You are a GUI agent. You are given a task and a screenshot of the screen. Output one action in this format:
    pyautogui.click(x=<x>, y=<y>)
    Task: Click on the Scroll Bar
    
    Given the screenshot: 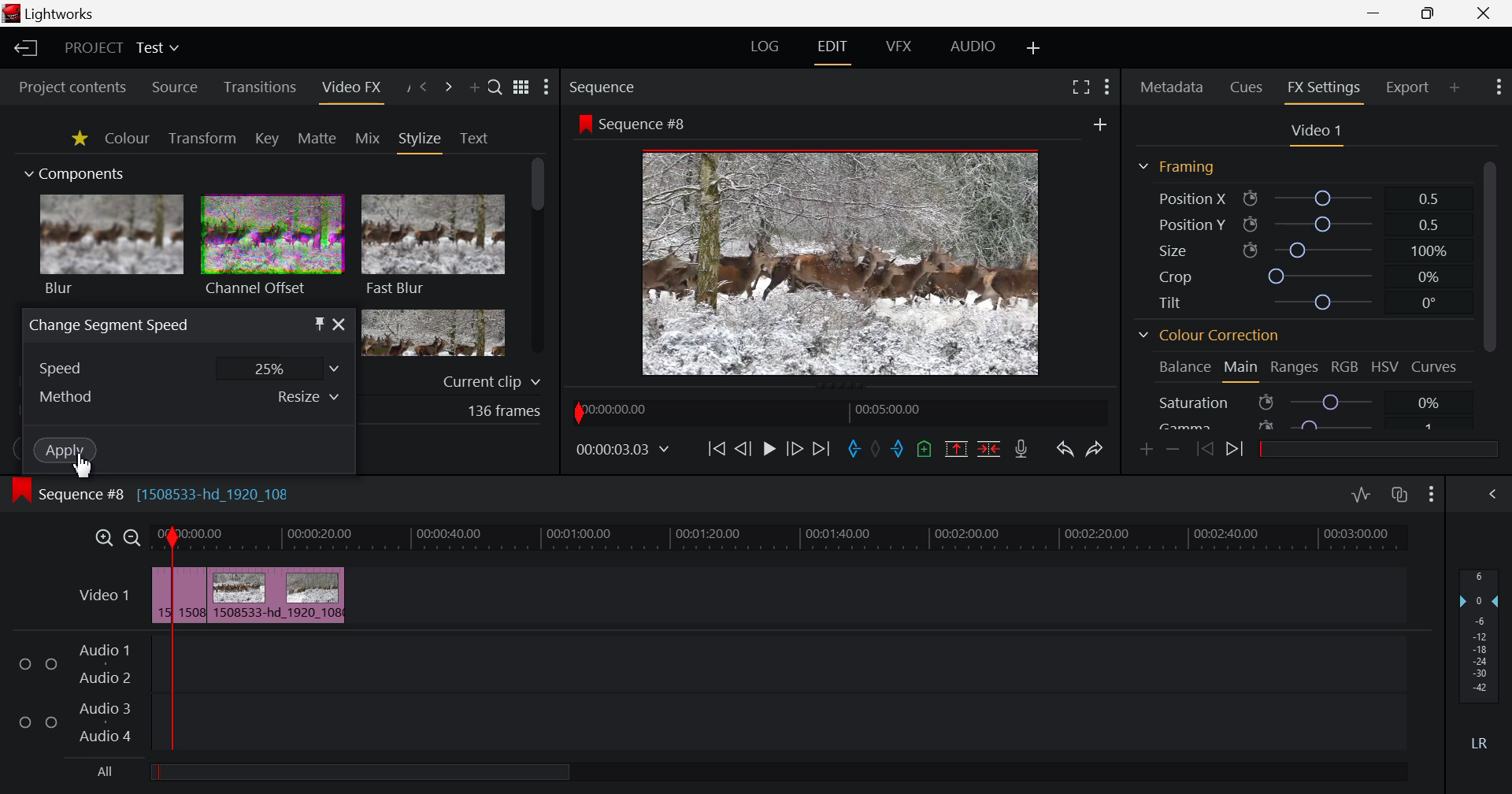 What is the action you would take?
    pyautogui.click(x=538, y=258)
    